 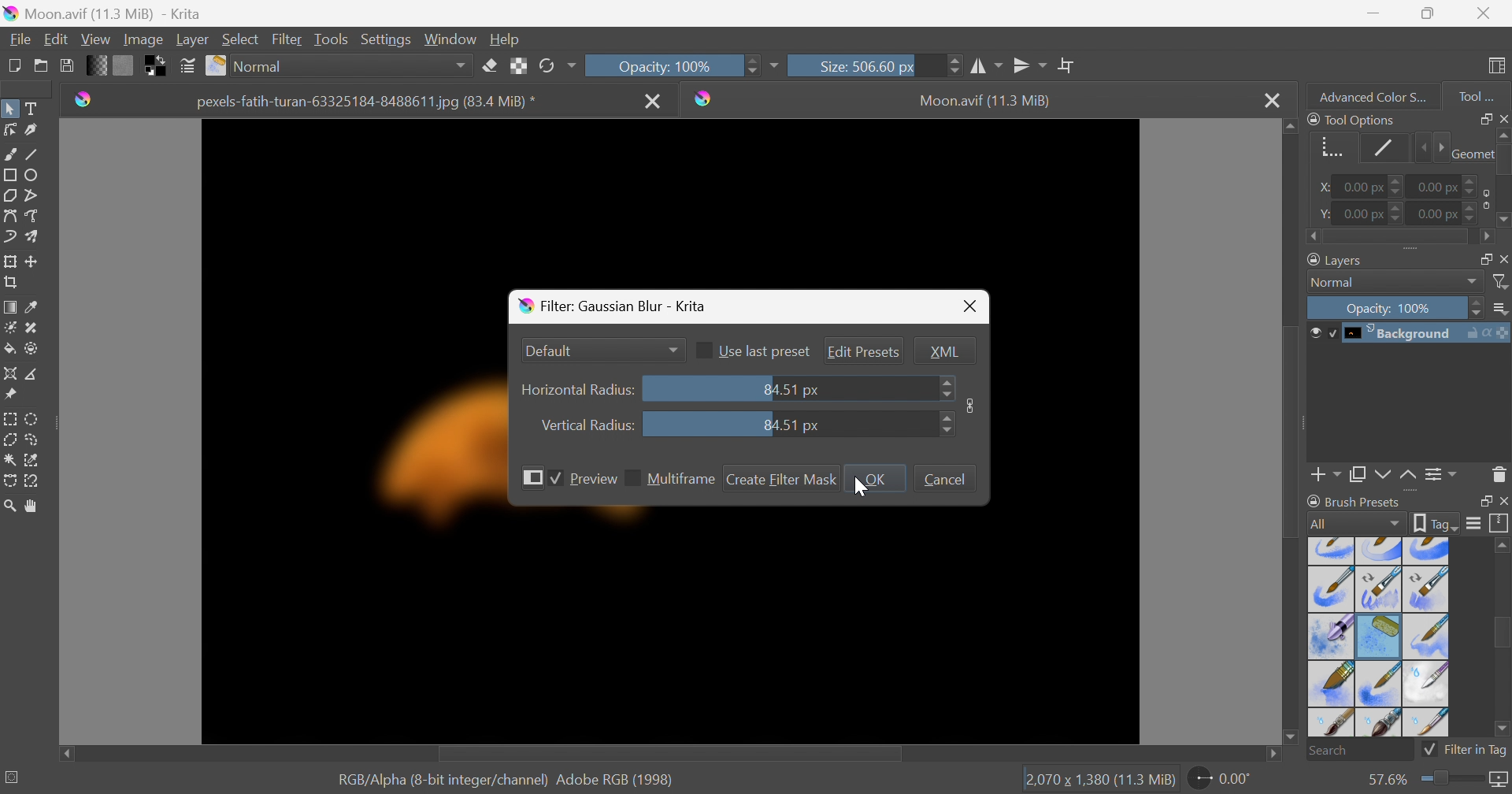 What do you see at coordinates (1326, 477) in the screenshot?
I see `Add layer` at bounding box center [1326, 477].